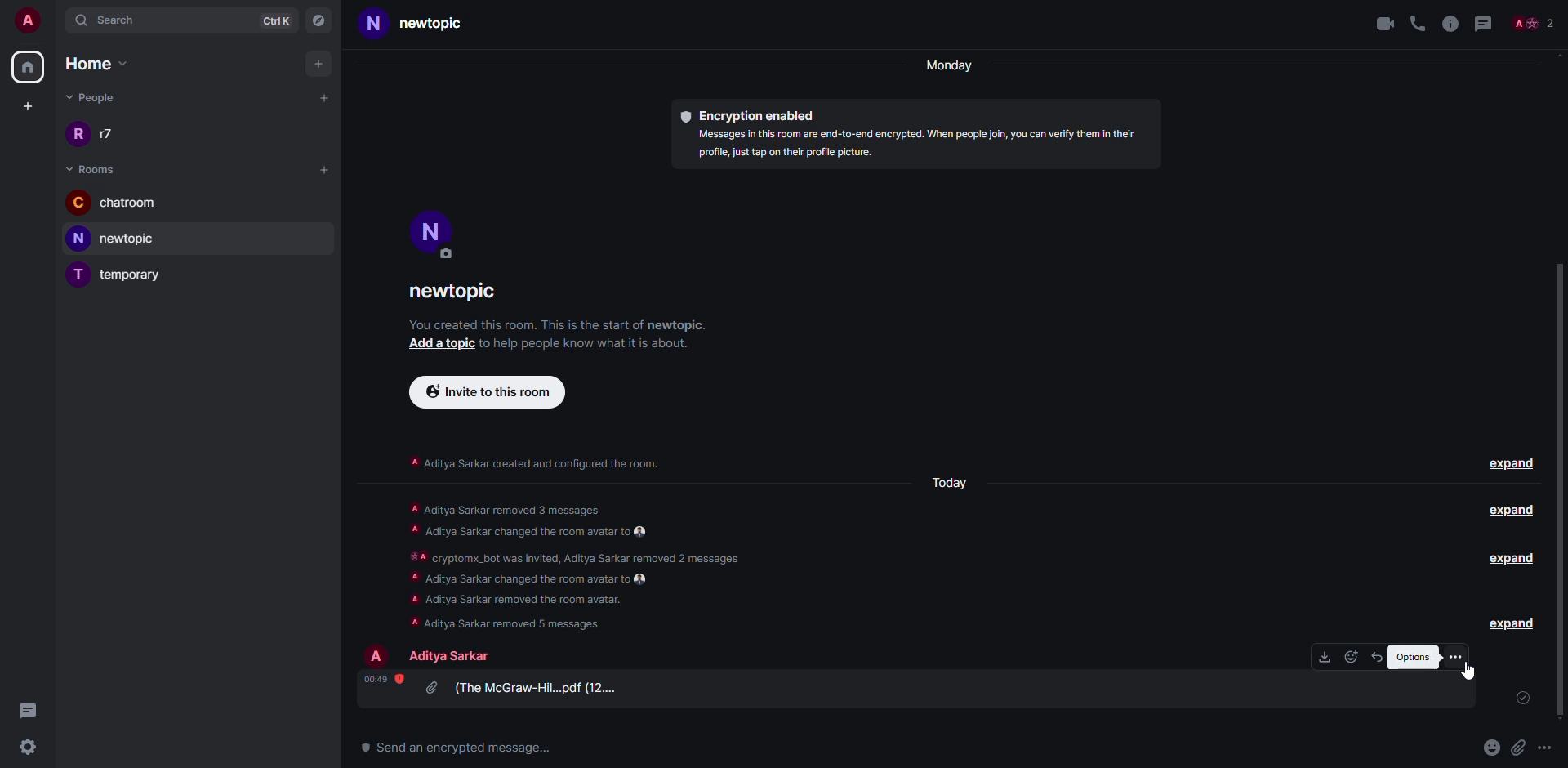 The height and width of the screenshot is (768, 1568). Describe the element at coordinates (490, 391) in the screenshot. I see `invite to this room` at that location.